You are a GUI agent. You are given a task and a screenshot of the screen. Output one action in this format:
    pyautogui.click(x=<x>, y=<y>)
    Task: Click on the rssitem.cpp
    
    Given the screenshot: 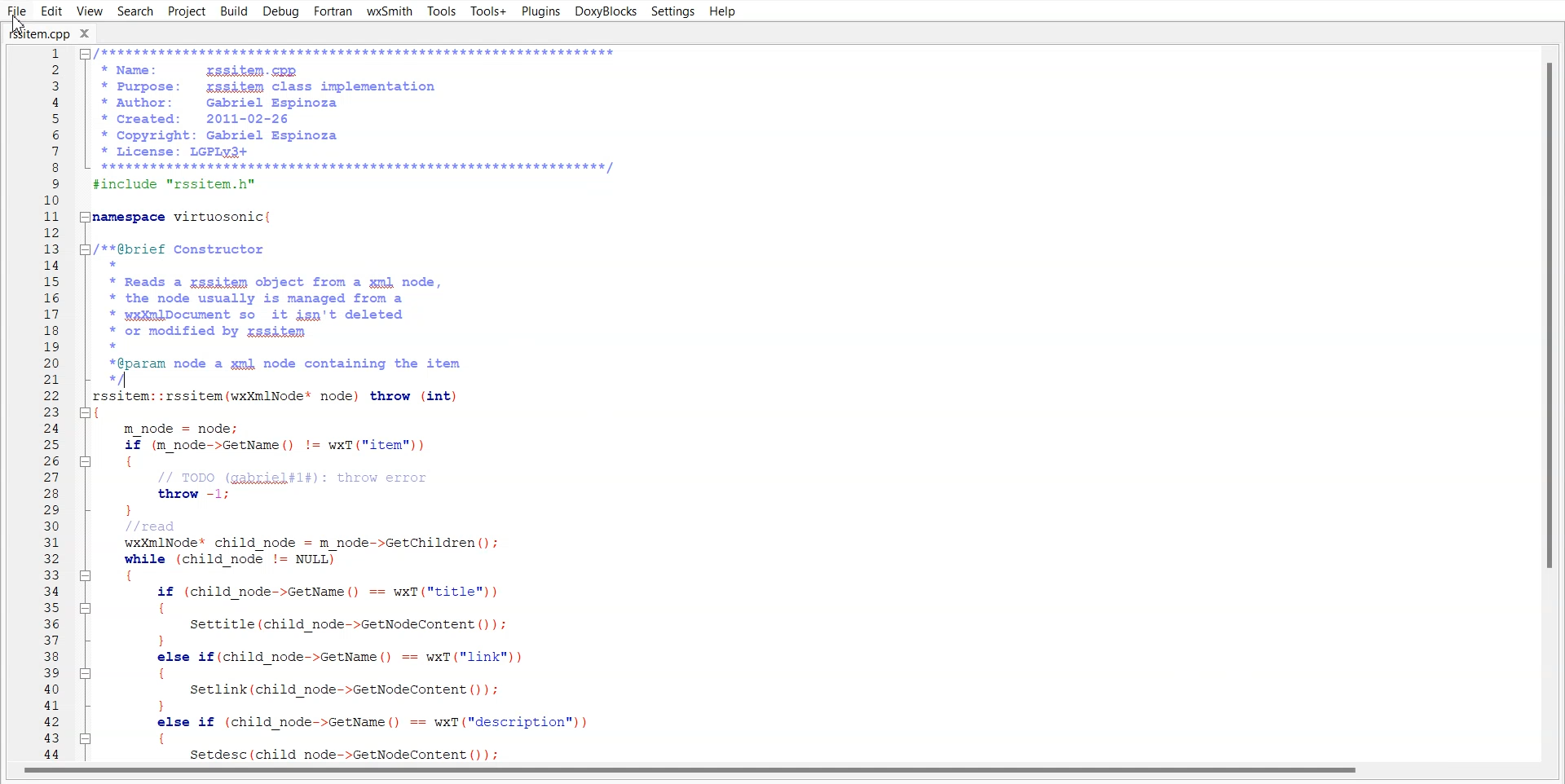 What is the action you would take?
    pyautogui.click(x=48, y=33)
    